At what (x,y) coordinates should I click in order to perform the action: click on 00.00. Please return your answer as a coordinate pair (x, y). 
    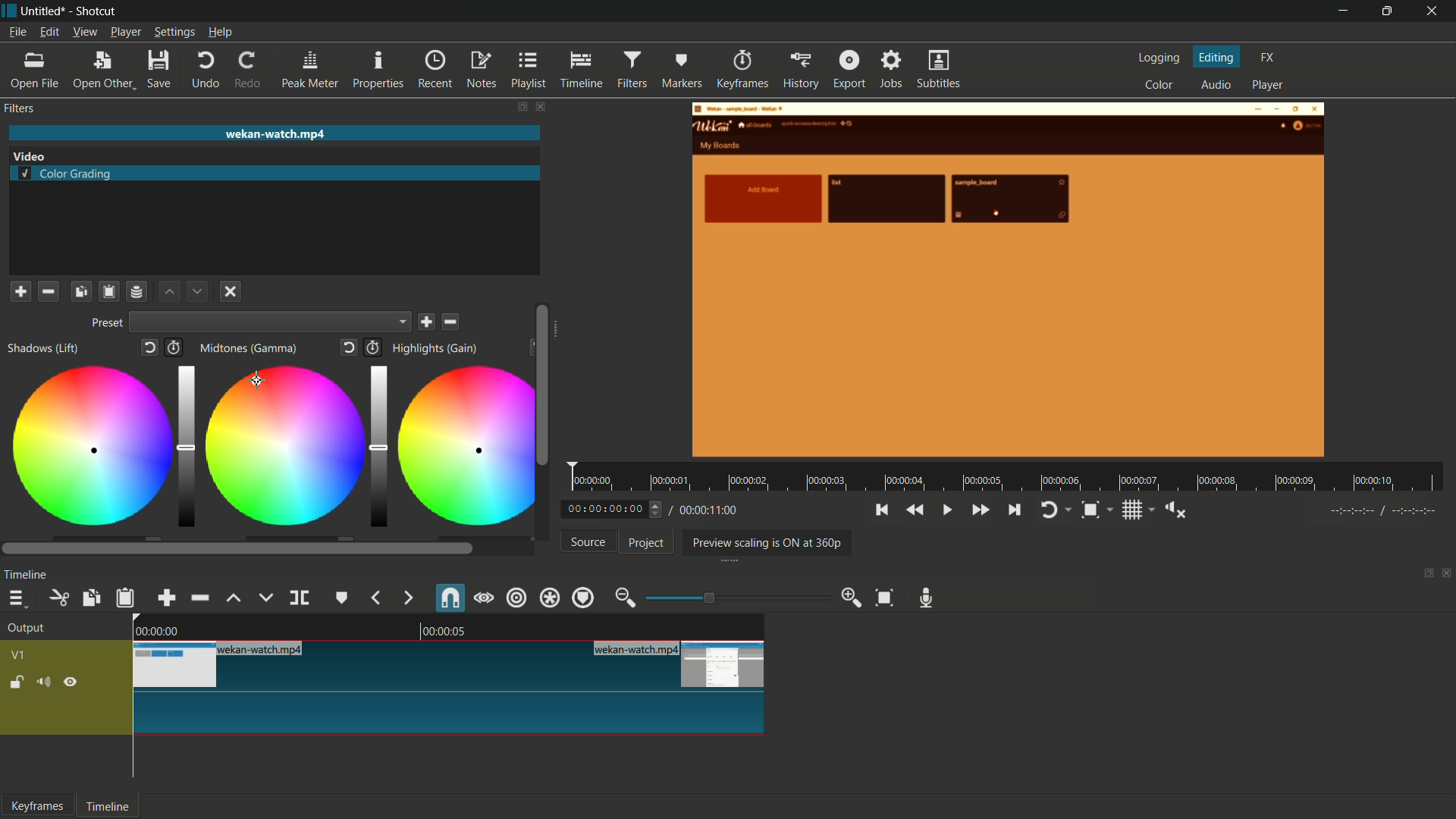
    Looking at the image, I should click on (156, 629).